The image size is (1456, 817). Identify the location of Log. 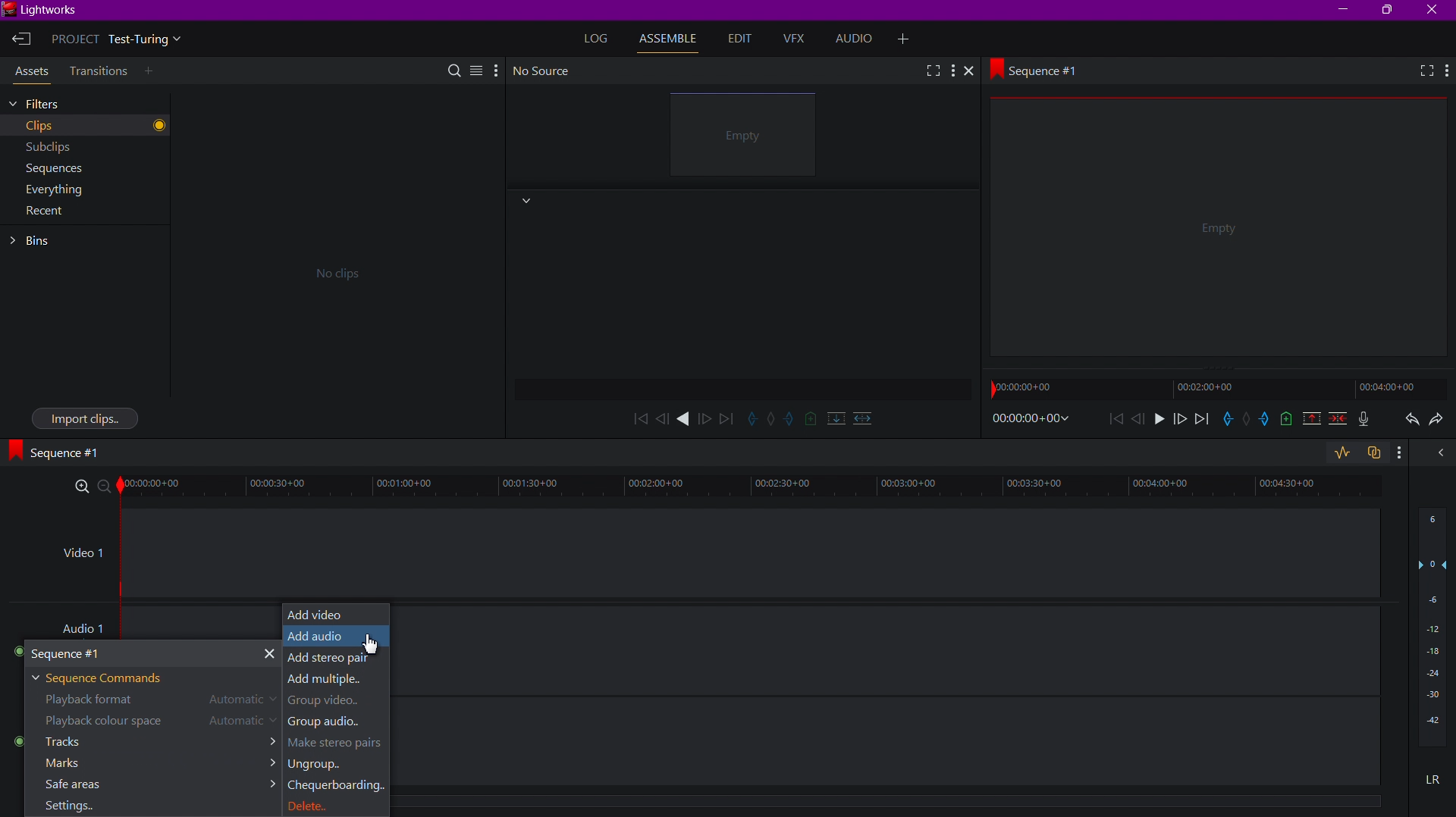
(598, 38).